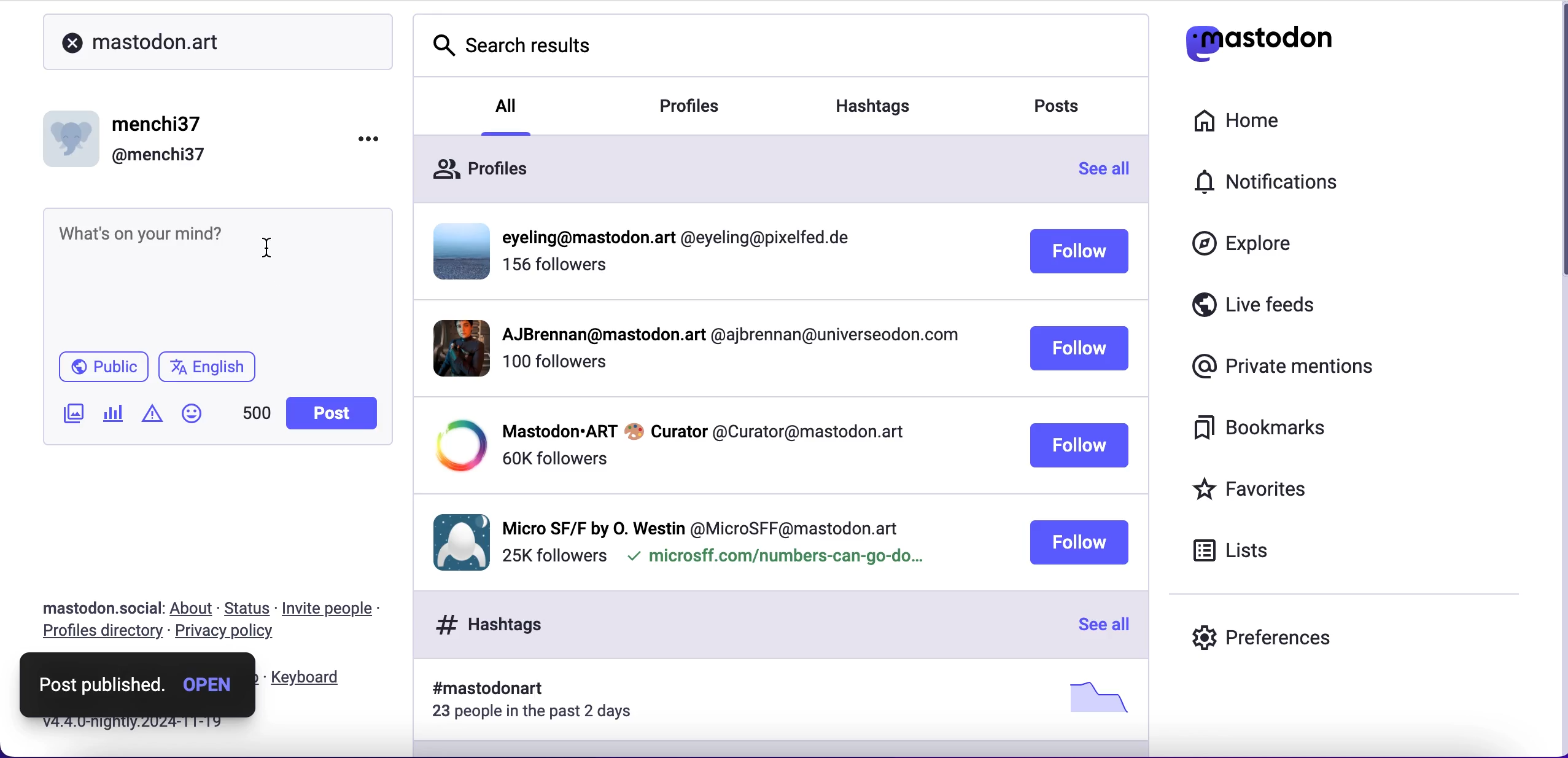 The image size is (1568, 758). What do you see at coordinates (557, 270) in the screenshot?
I see `followers` at bounding box center [557, 270].